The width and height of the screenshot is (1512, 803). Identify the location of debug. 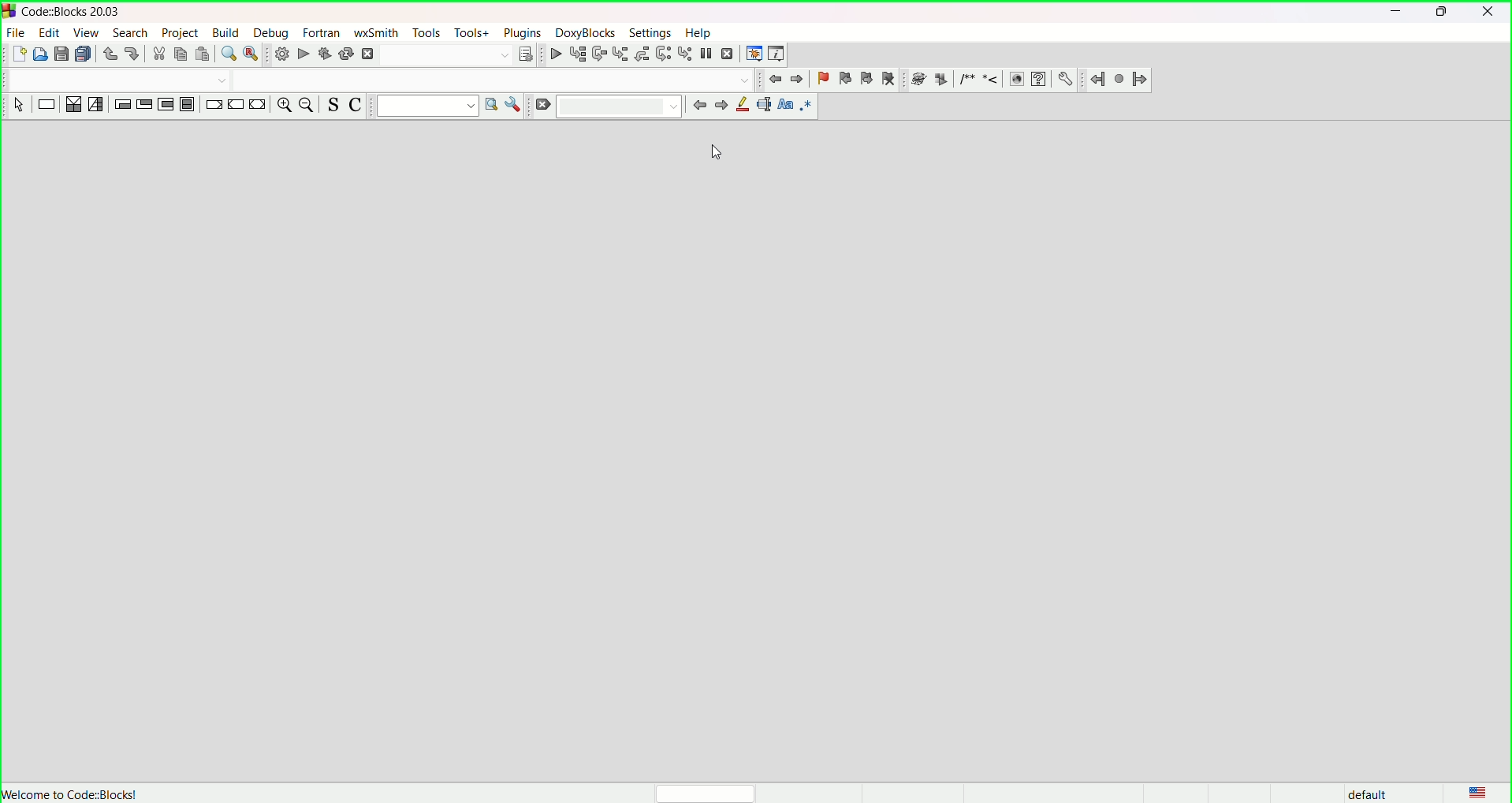
(557, 54).